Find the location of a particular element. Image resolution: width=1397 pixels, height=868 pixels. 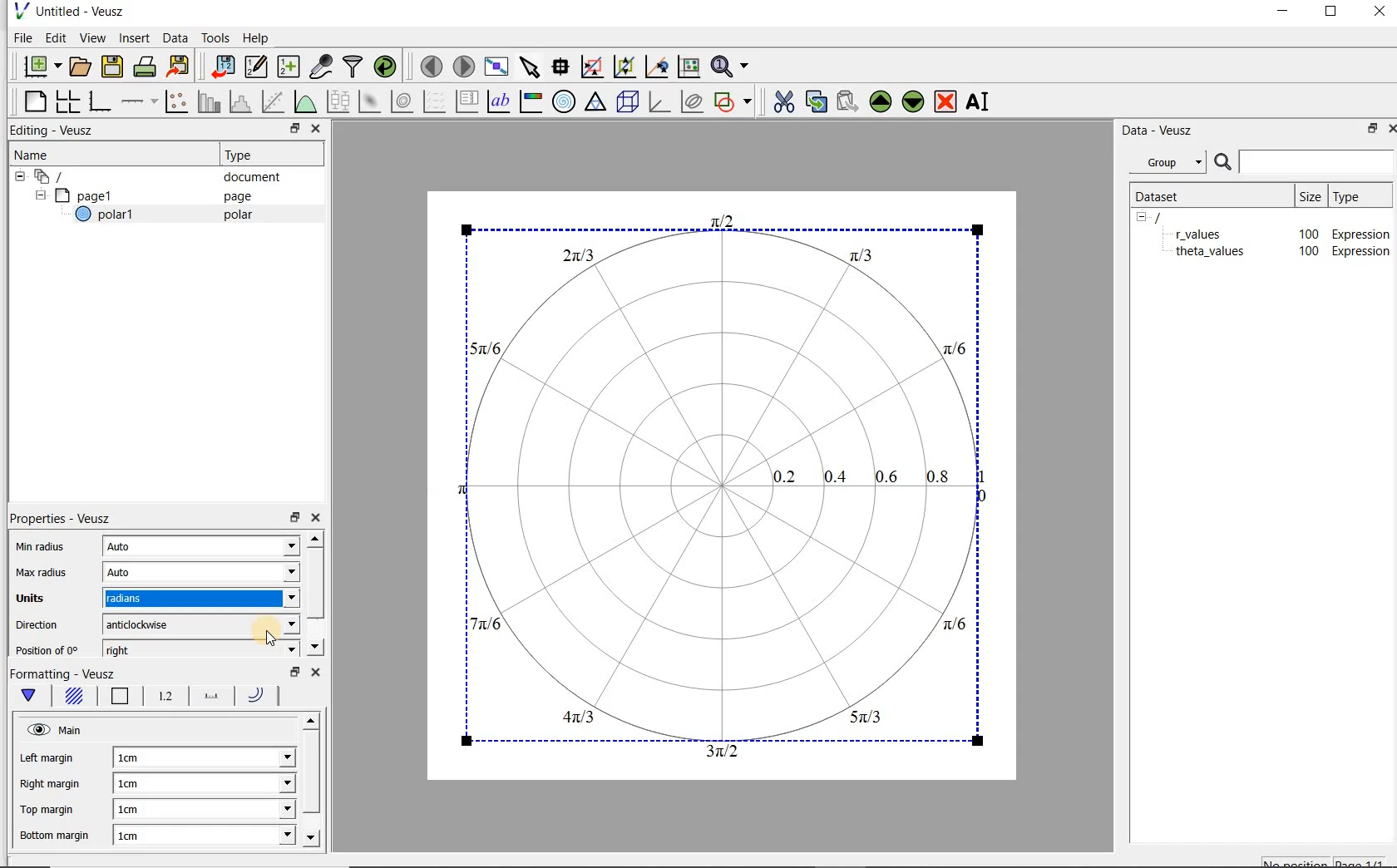

Close is located at coordinates (1389, 127).